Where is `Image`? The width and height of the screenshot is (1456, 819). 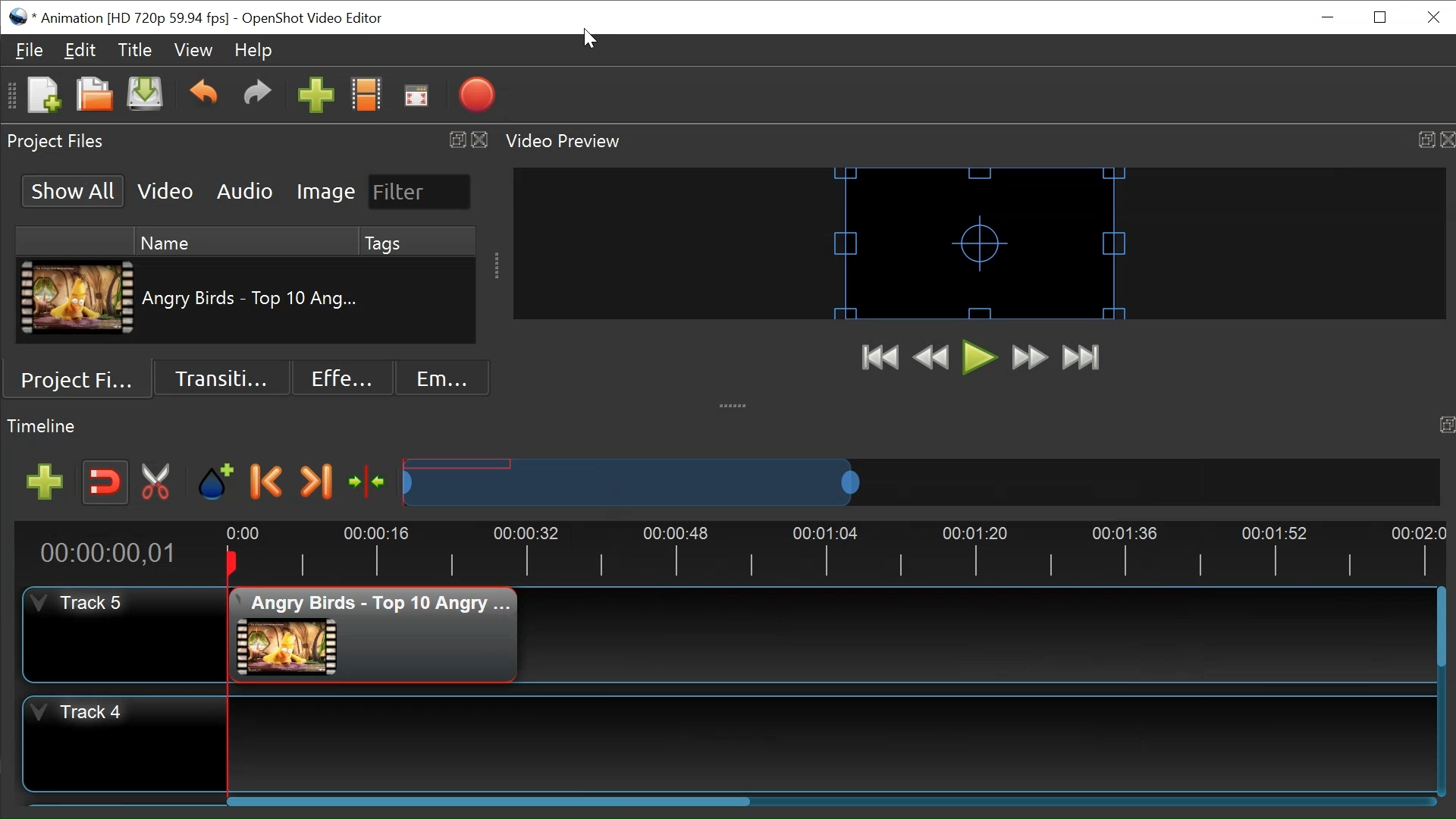 Image is located at coordinates (325, 191).